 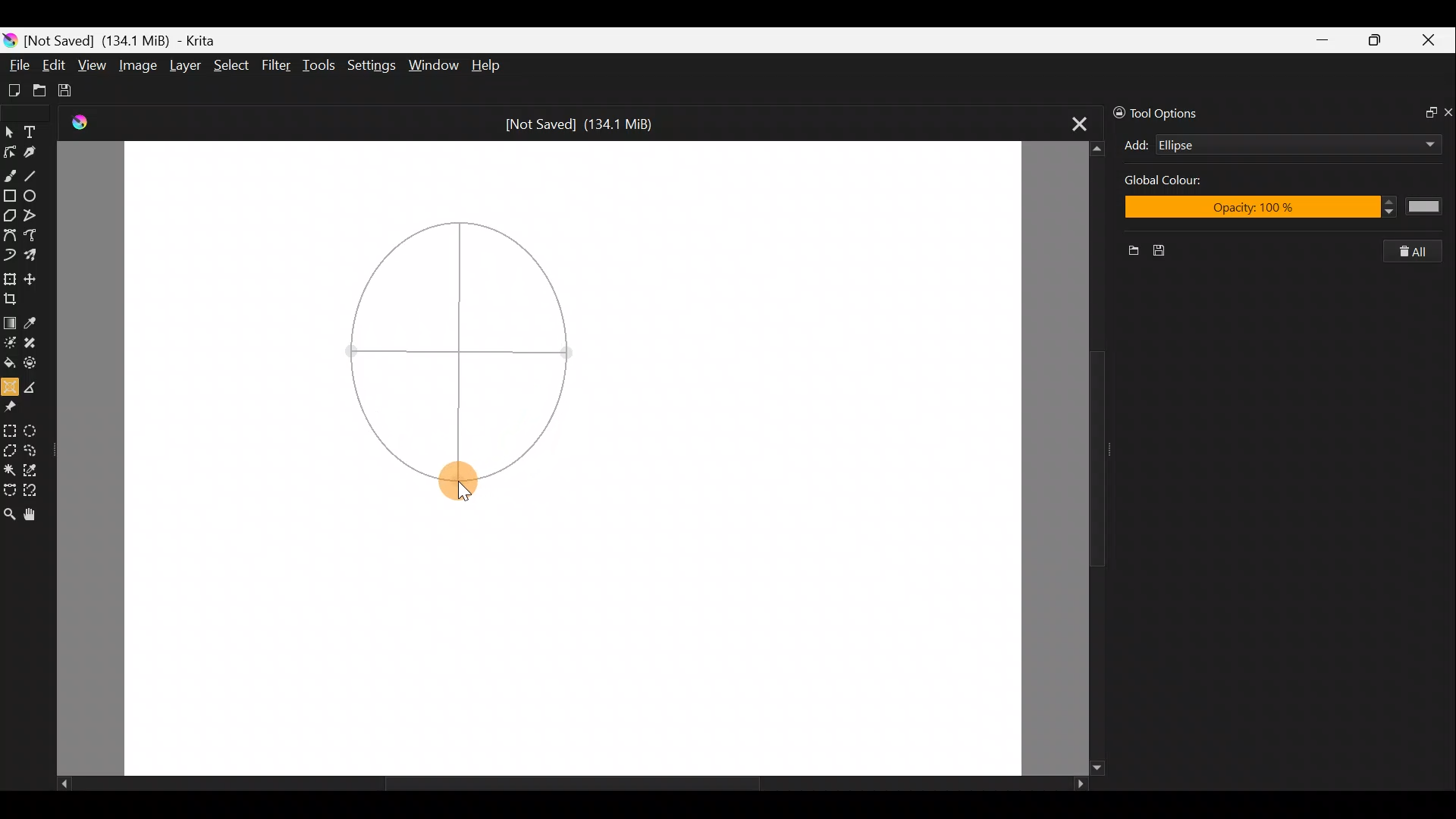 I want to click on Contiguous selection tool, so click(x=10, y=468).